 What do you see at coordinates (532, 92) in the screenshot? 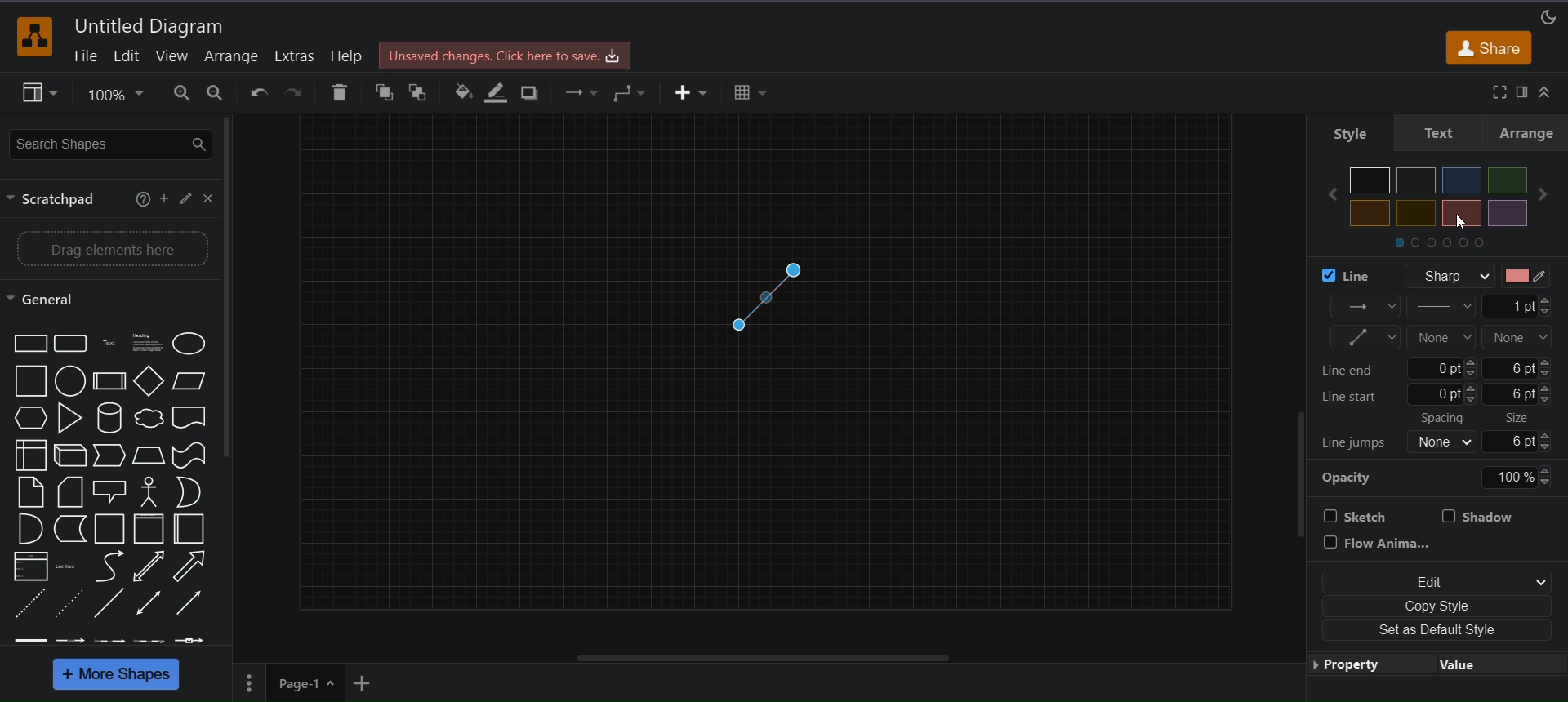
I see `shadow` at bounding box center [532, 92].